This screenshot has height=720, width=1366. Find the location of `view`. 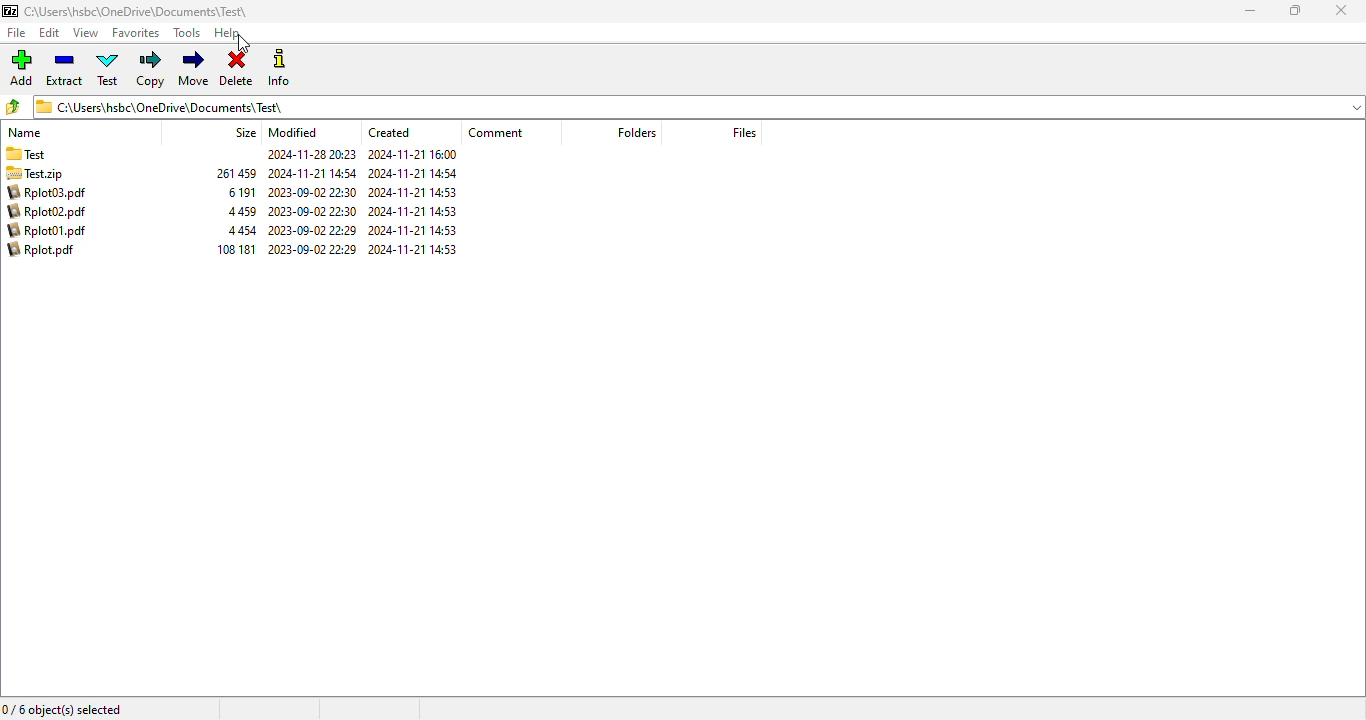

view is located at coordinates (86, 33).